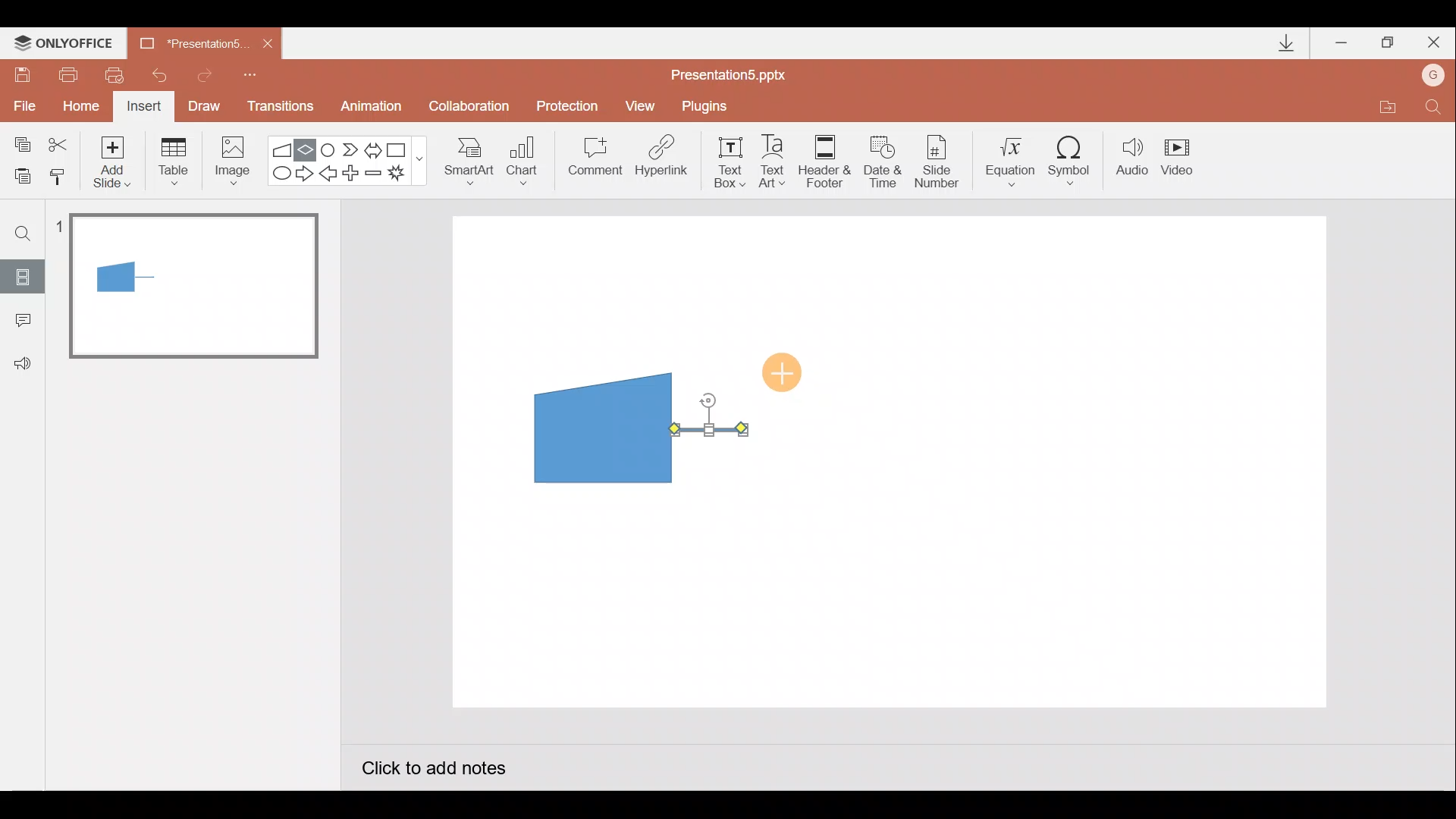 This screenshot has width=1456, height=819. What do you see at coordinates (115, 158) in the screenshot?
I see `Add slide` at bounding box center [115, 158].